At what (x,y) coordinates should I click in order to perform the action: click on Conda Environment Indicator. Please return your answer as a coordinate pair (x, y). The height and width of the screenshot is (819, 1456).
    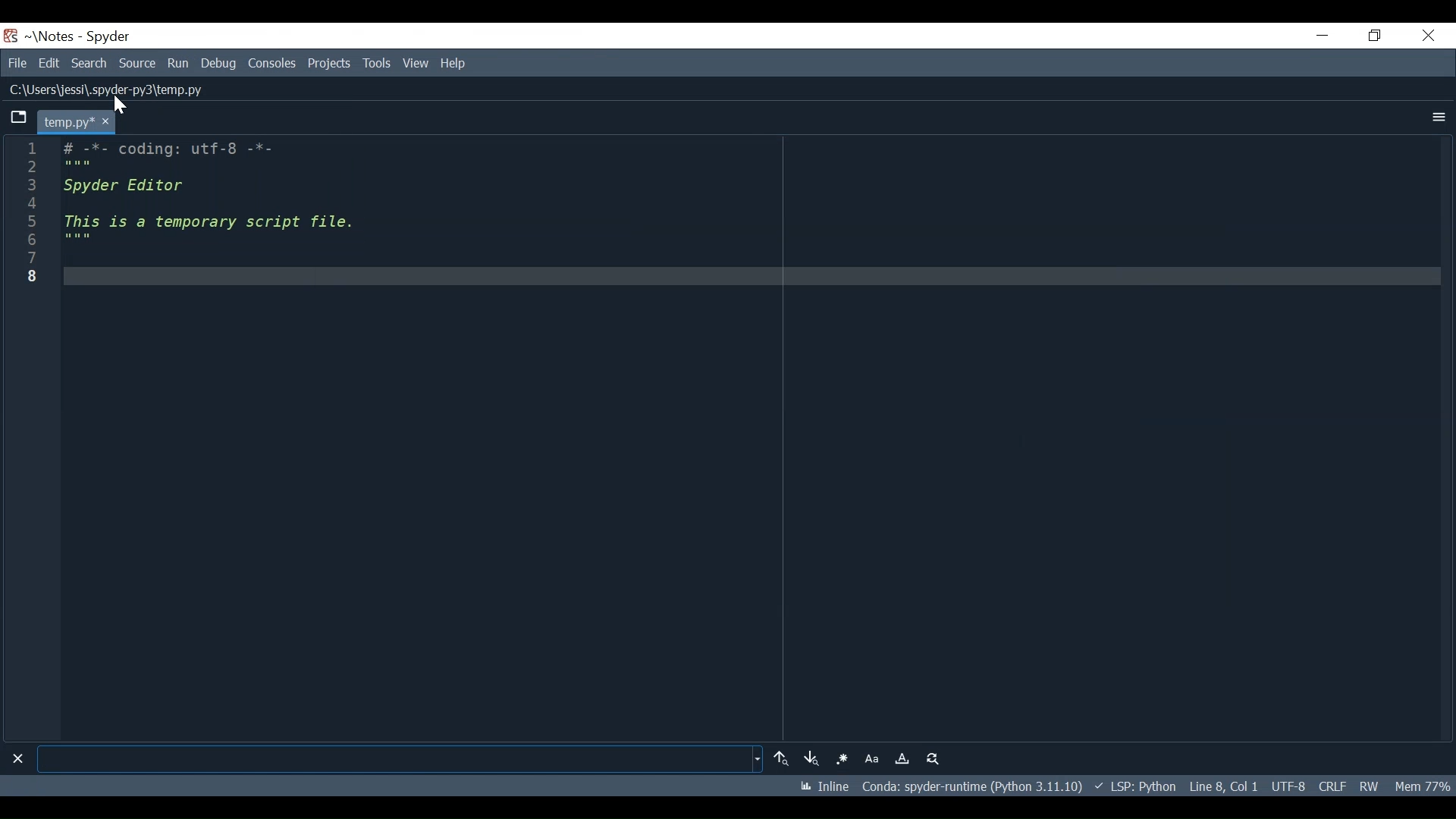
    Looking at the image, I should click on (975, 787).